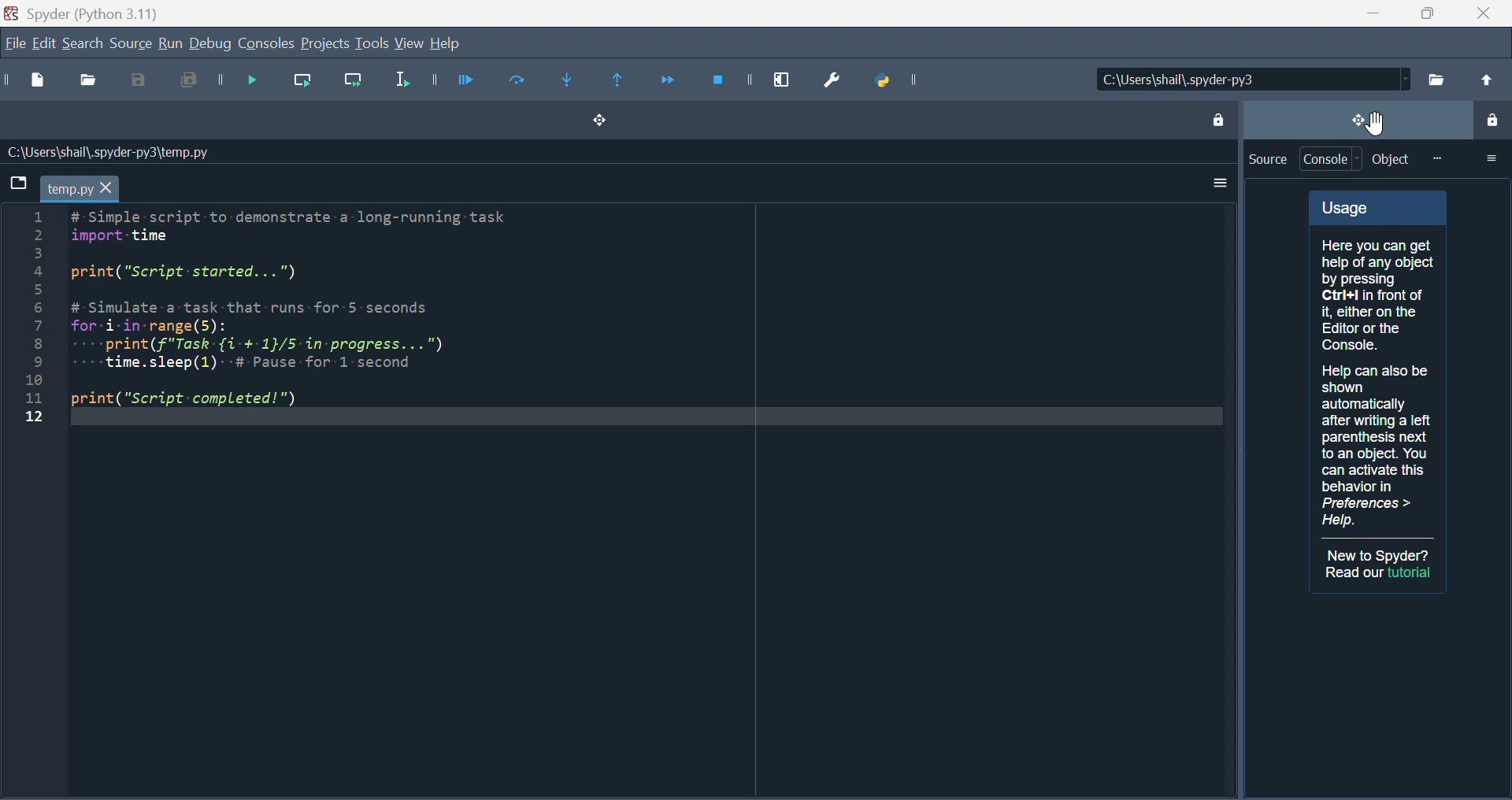 The height and width of the screenshot is (800, 1512). What do you see at coordinates (518, 81) in the screenshot?
I see `run current file` at bounding box center [518, 81].